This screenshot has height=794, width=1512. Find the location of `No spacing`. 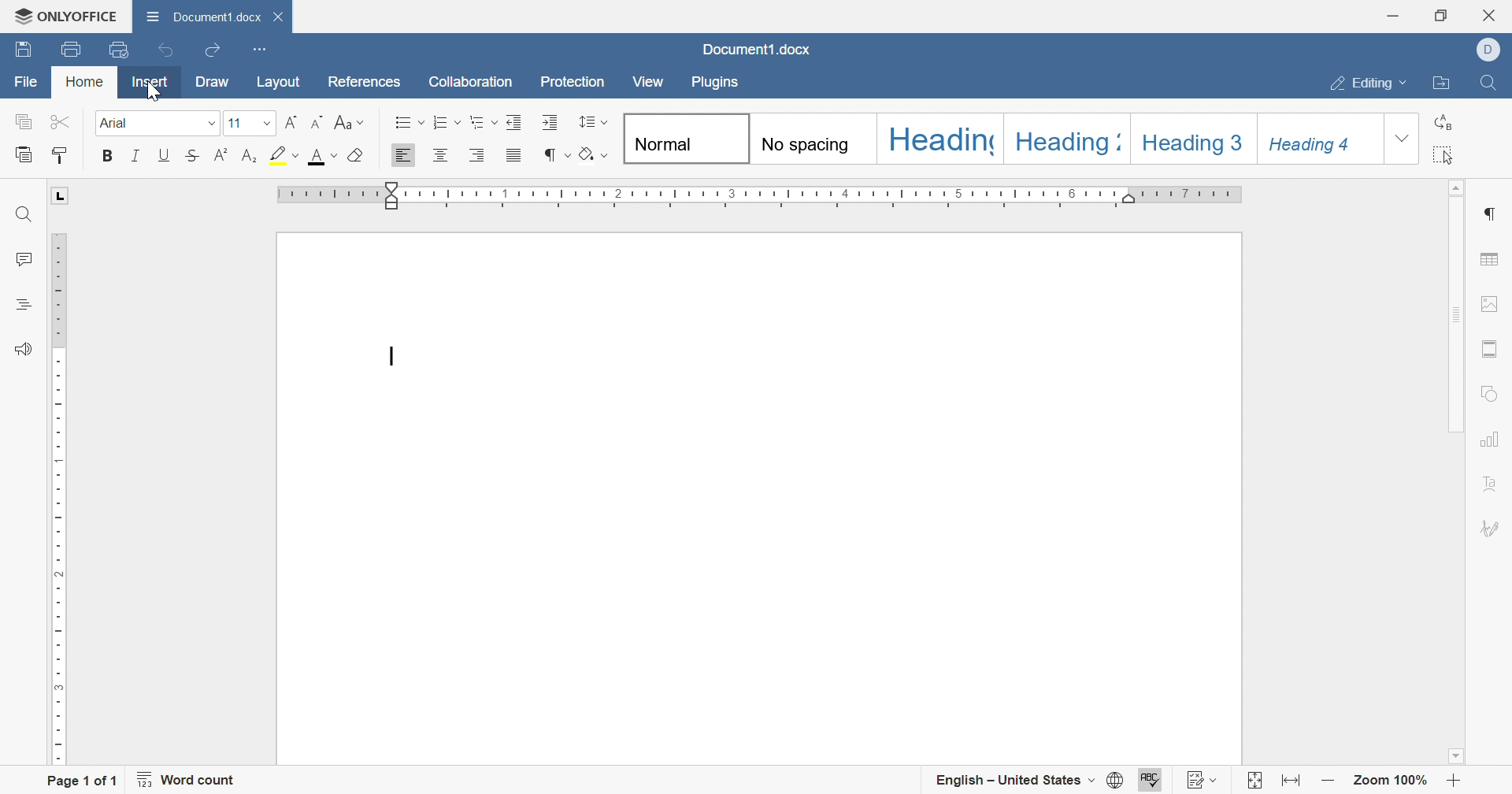

No spacing is located at coordinates (813, 139).